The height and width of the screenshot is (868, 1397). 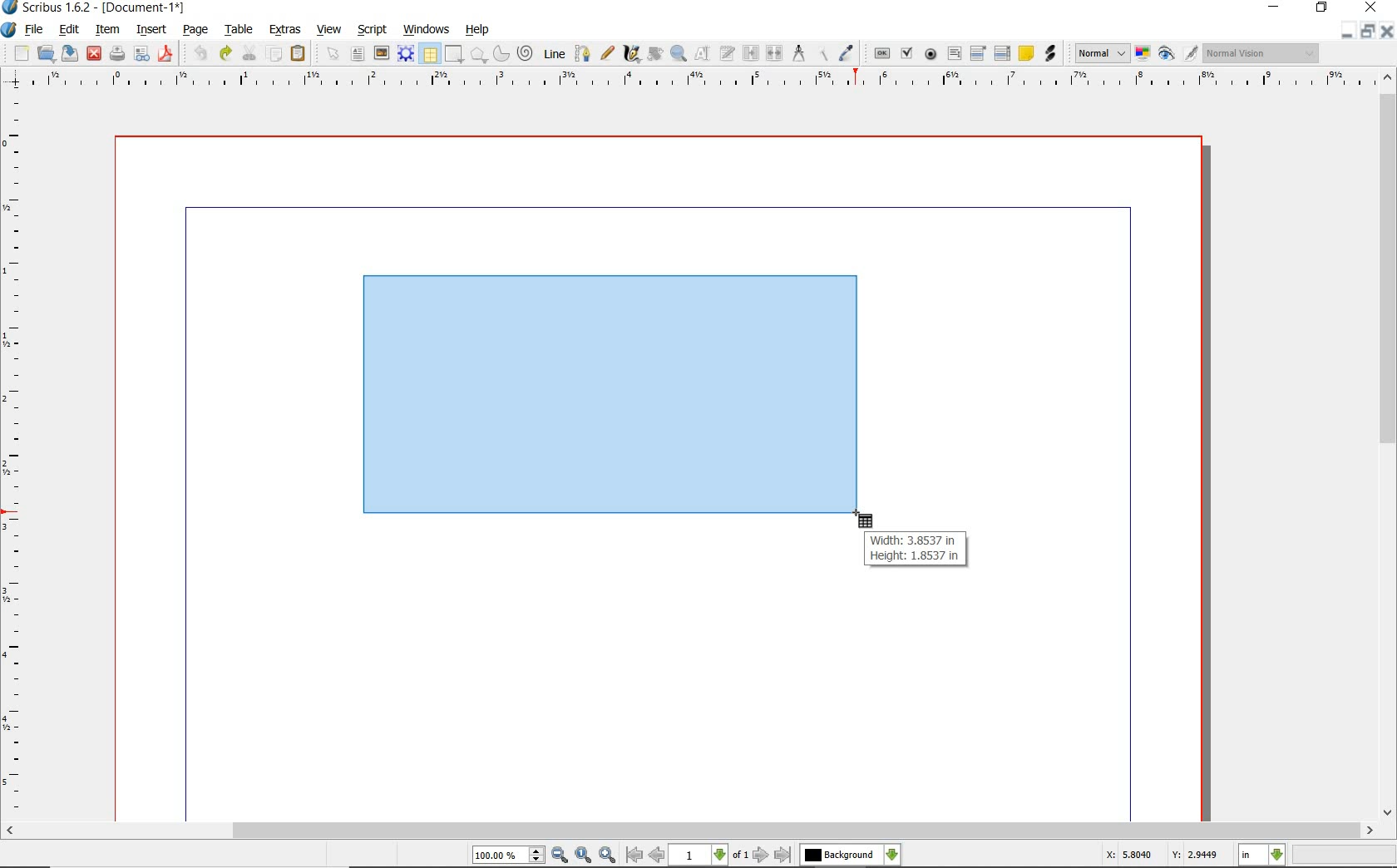 What do you see at coordinates (909, 55) in the screenshot?
I see `pdf check box` at bounding box center [909, 55].